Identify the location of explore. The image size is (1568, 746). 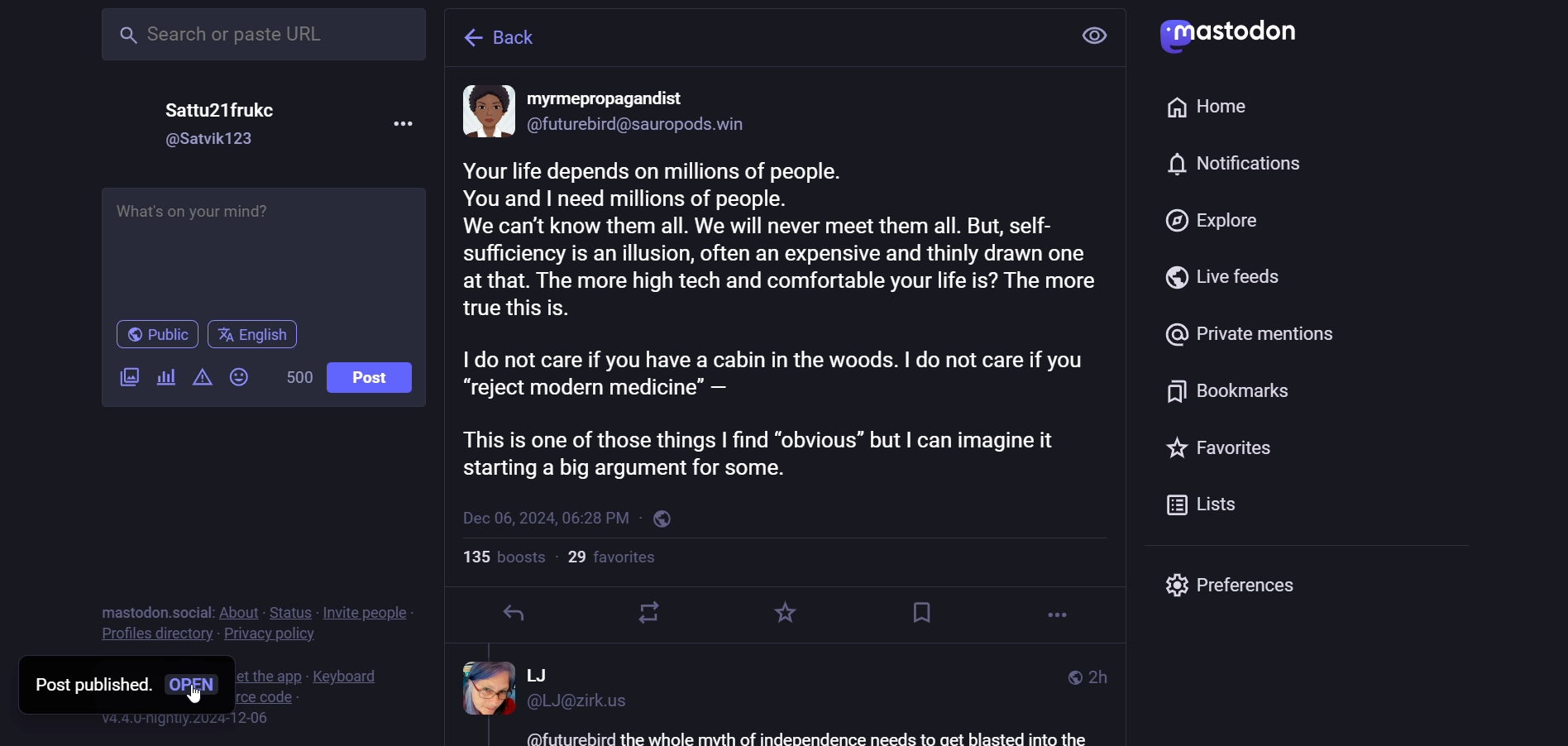
(1212, 222).